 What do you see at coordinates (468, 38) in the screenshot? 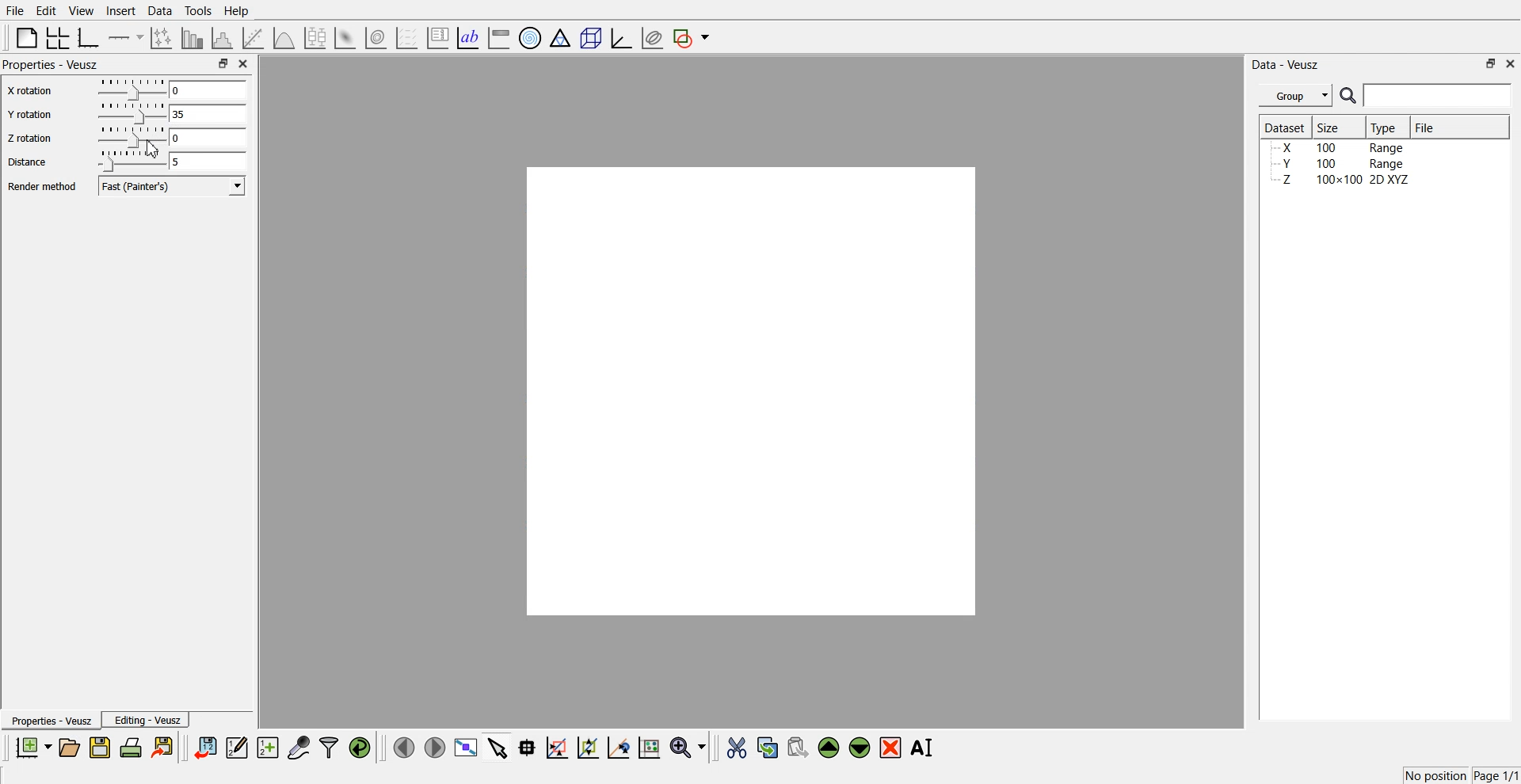
I see `Text label` at bounding box center [468, 38].